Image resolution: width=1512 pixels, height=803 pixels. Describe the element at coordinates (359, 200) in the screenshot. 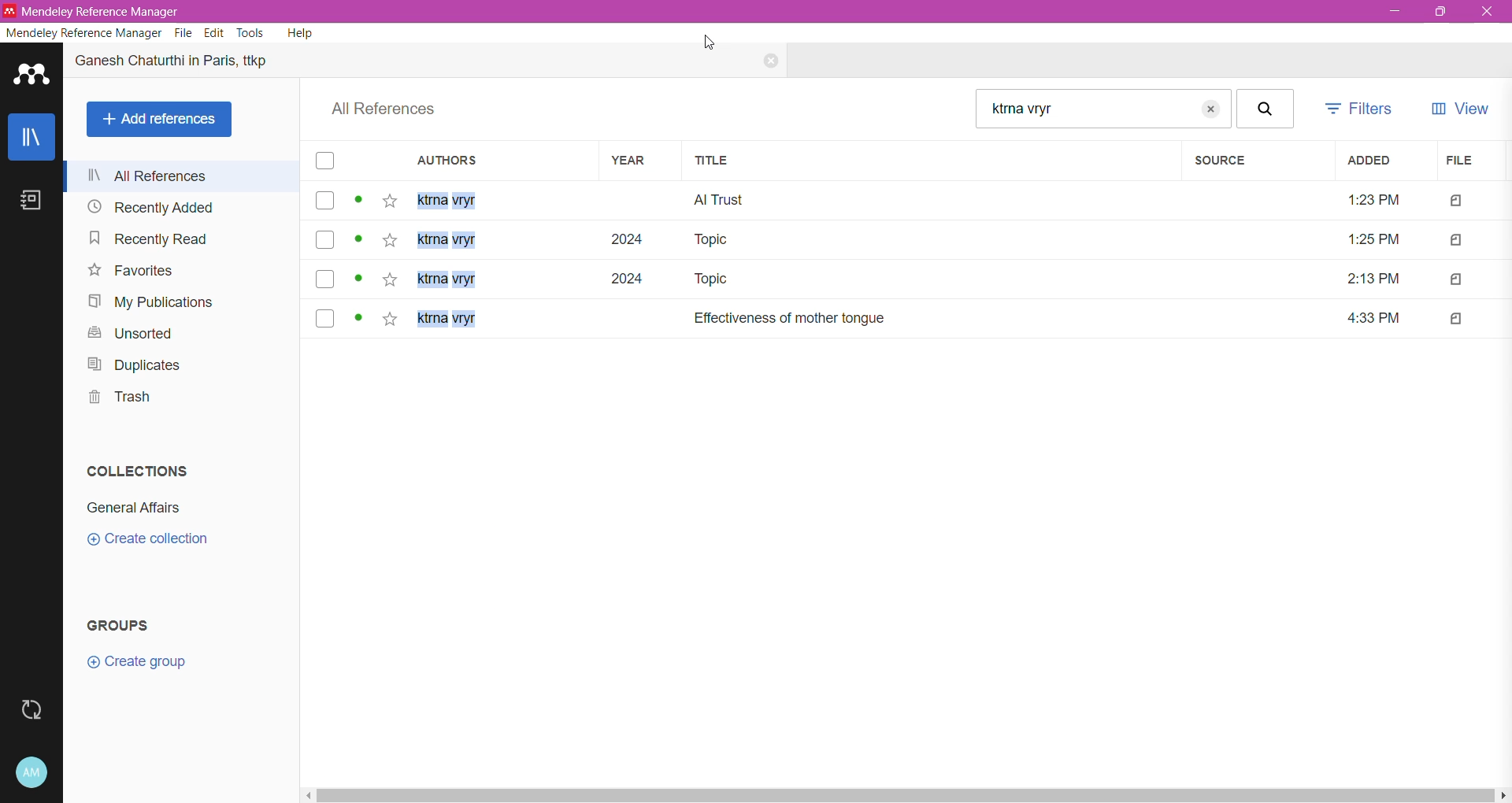

I see `view status` at that location.